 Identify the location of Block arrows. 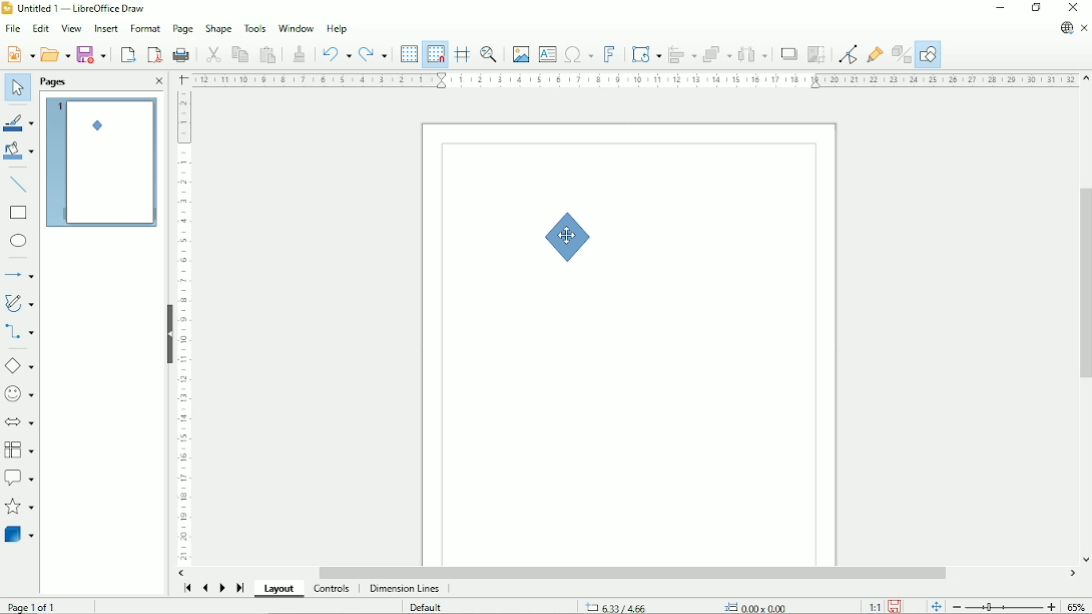
(19, 422).